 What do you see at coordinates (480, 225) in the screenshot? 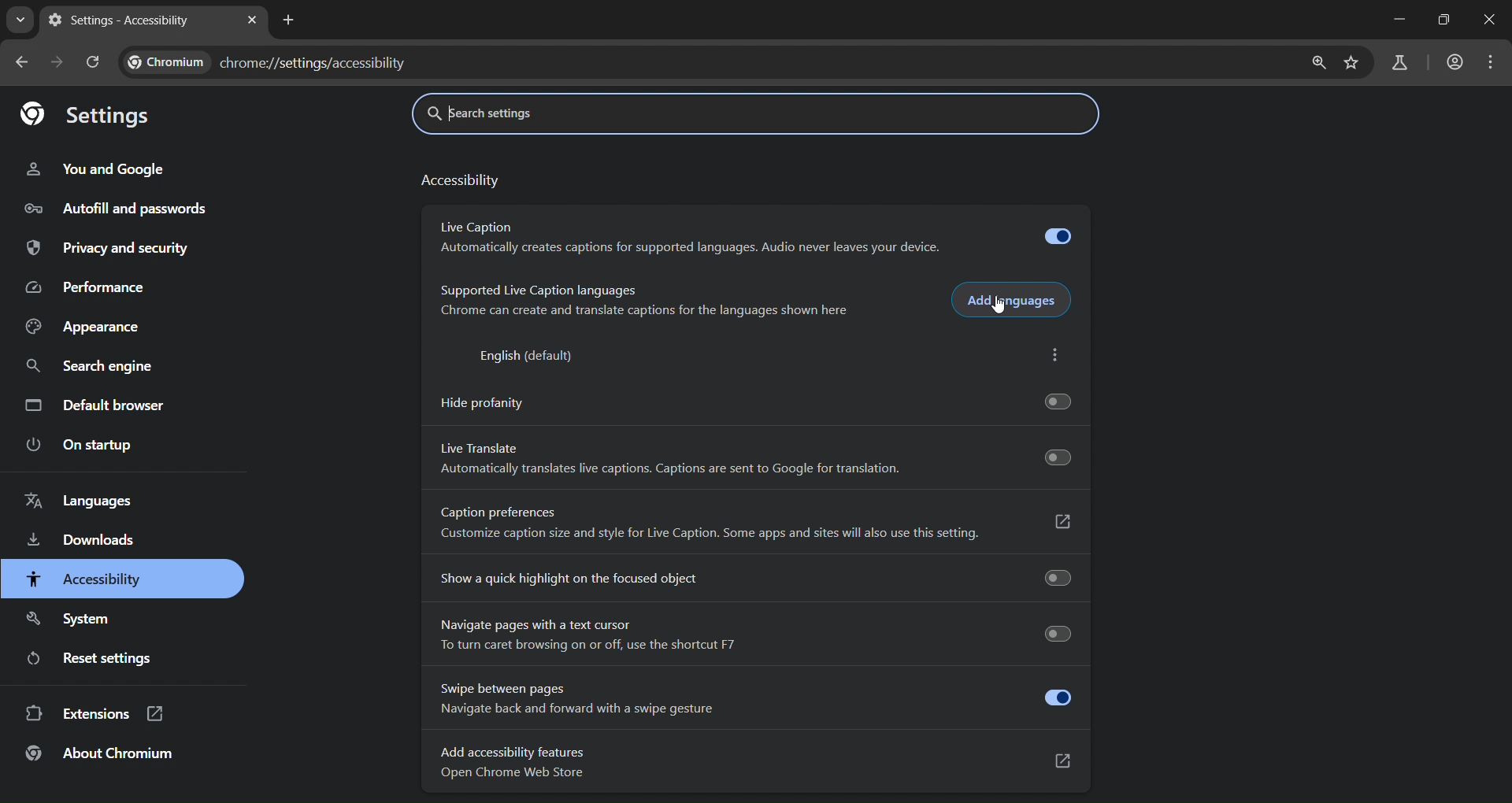
I see `` at bounding box center [480, 225].